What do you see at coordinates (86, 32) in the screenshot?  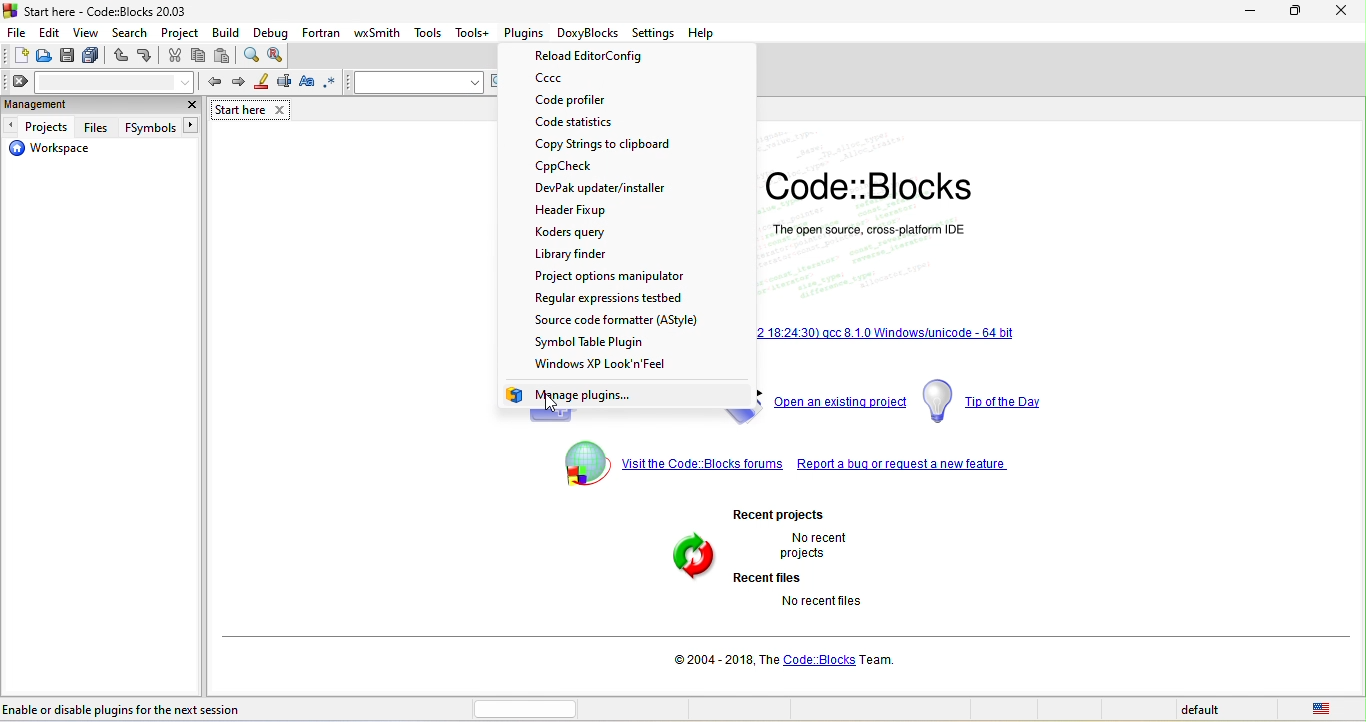 I see `view` at bounding box center [86, 32].